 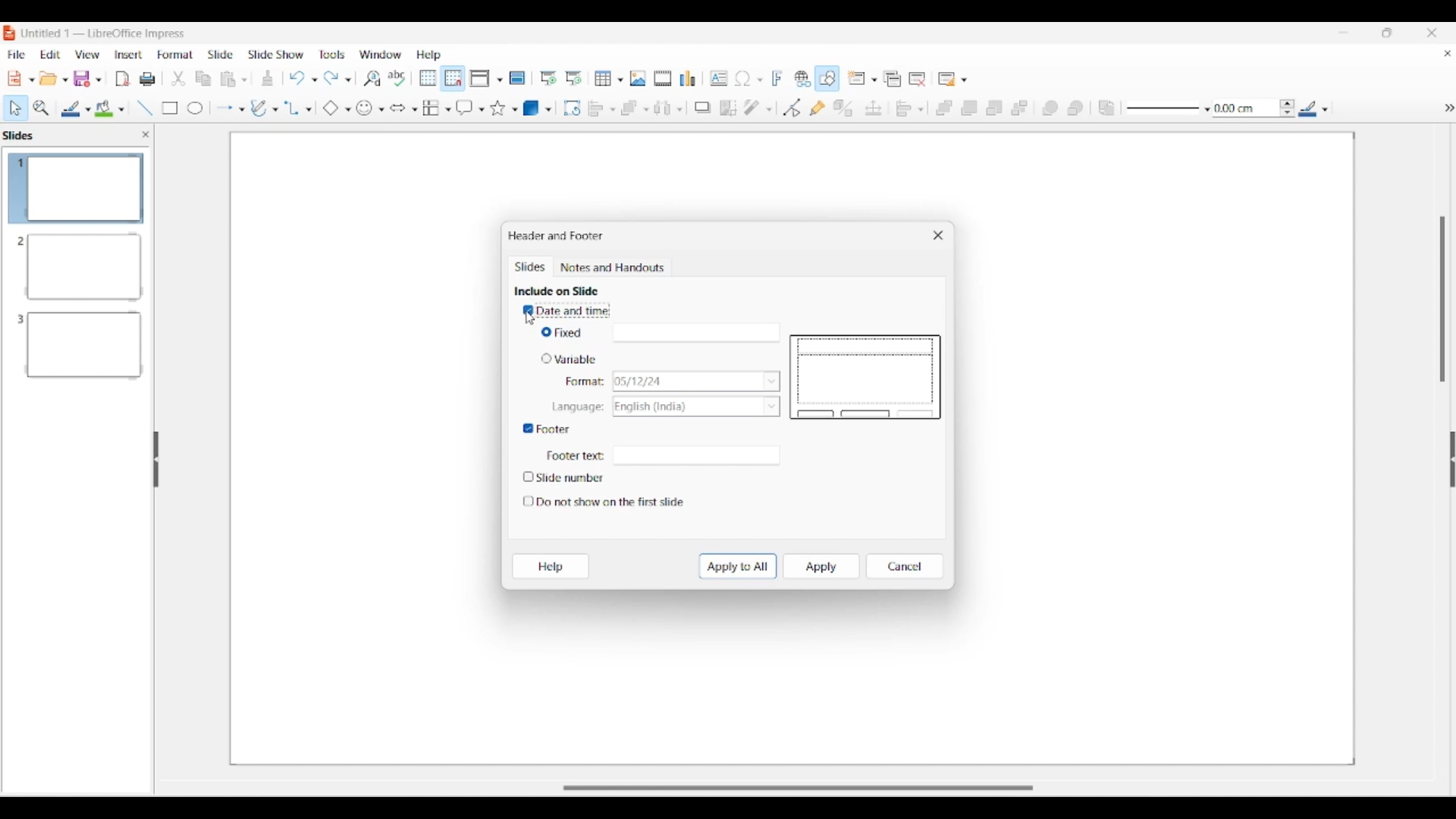 What do you see at coordinates (1343, 32) in the screenshot?
I see `Minimize` at bounding box center [1343, 32].